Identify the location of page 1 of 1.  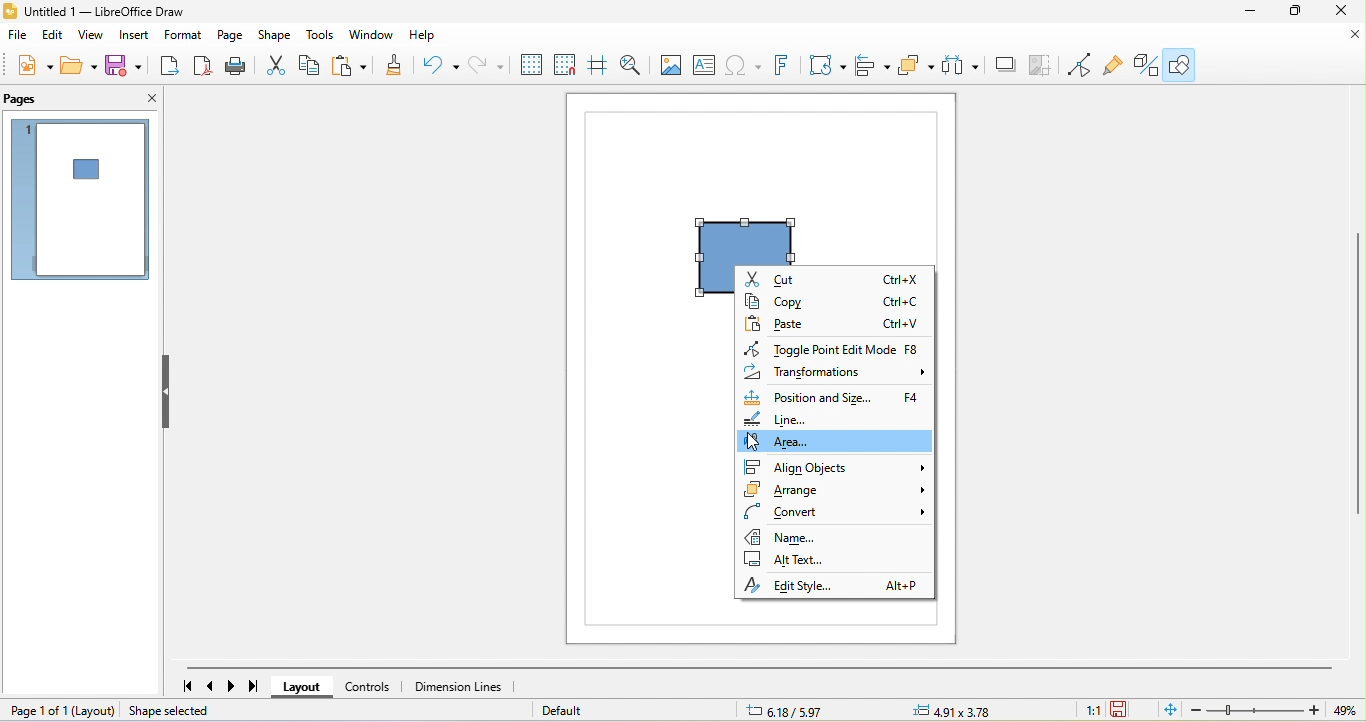
(33, 712).